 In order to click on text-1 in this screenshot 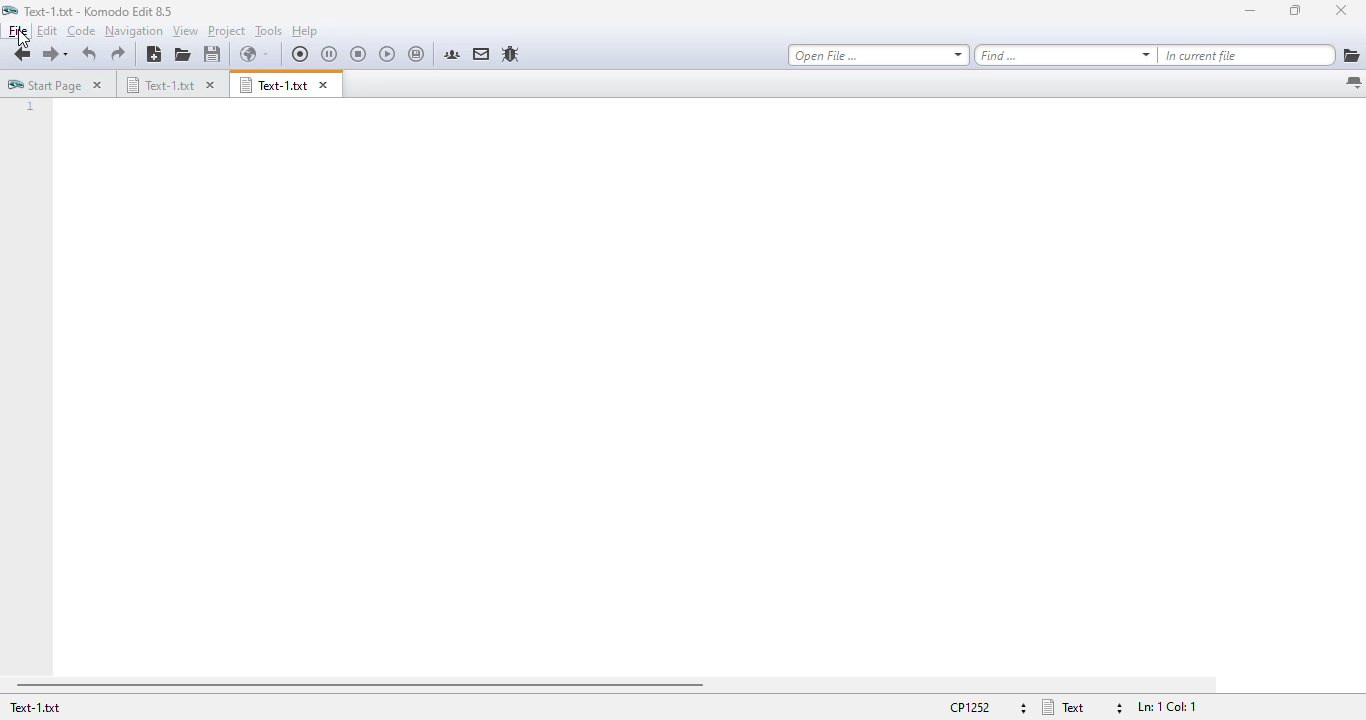, I will do `click(273, 84)`.